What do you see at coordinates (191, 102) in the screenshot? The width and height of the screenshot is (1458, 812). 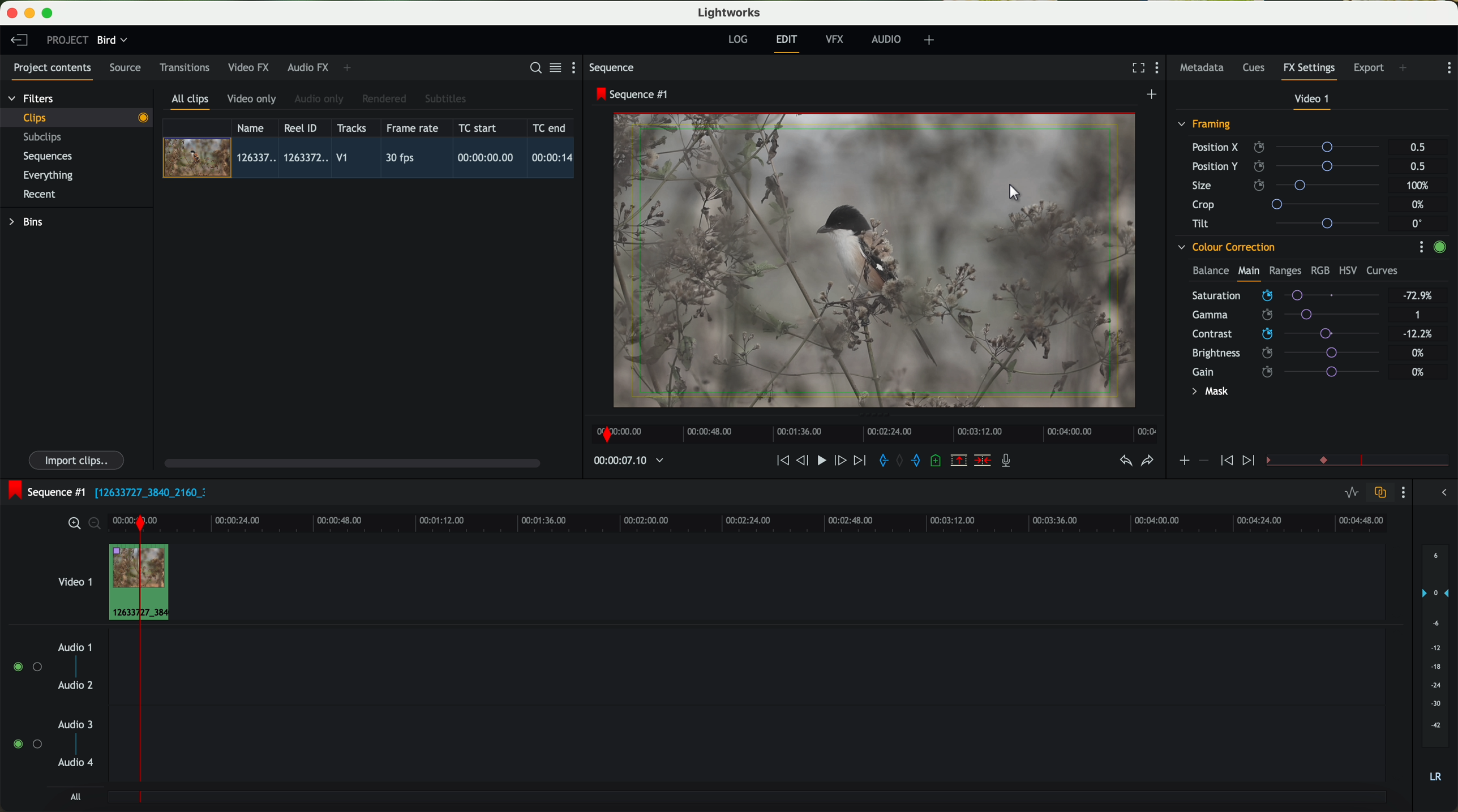 I see `all clips` at bounding box center [191, 102].